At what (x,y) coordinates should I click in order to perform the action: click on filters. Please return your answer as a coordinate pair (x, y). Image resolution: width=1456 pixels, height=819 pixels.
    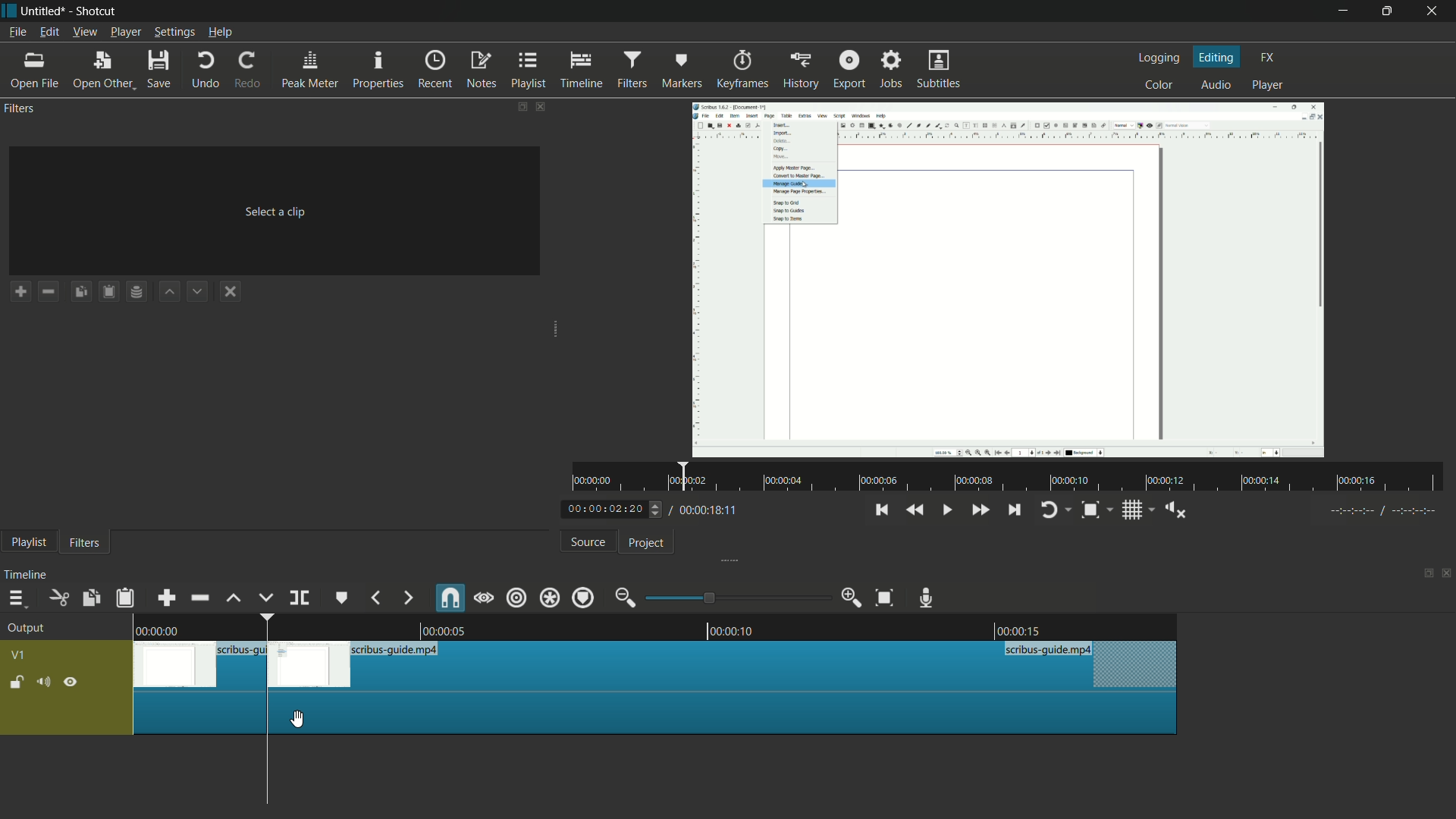
    Looking at the image, I should click on (634, 70).